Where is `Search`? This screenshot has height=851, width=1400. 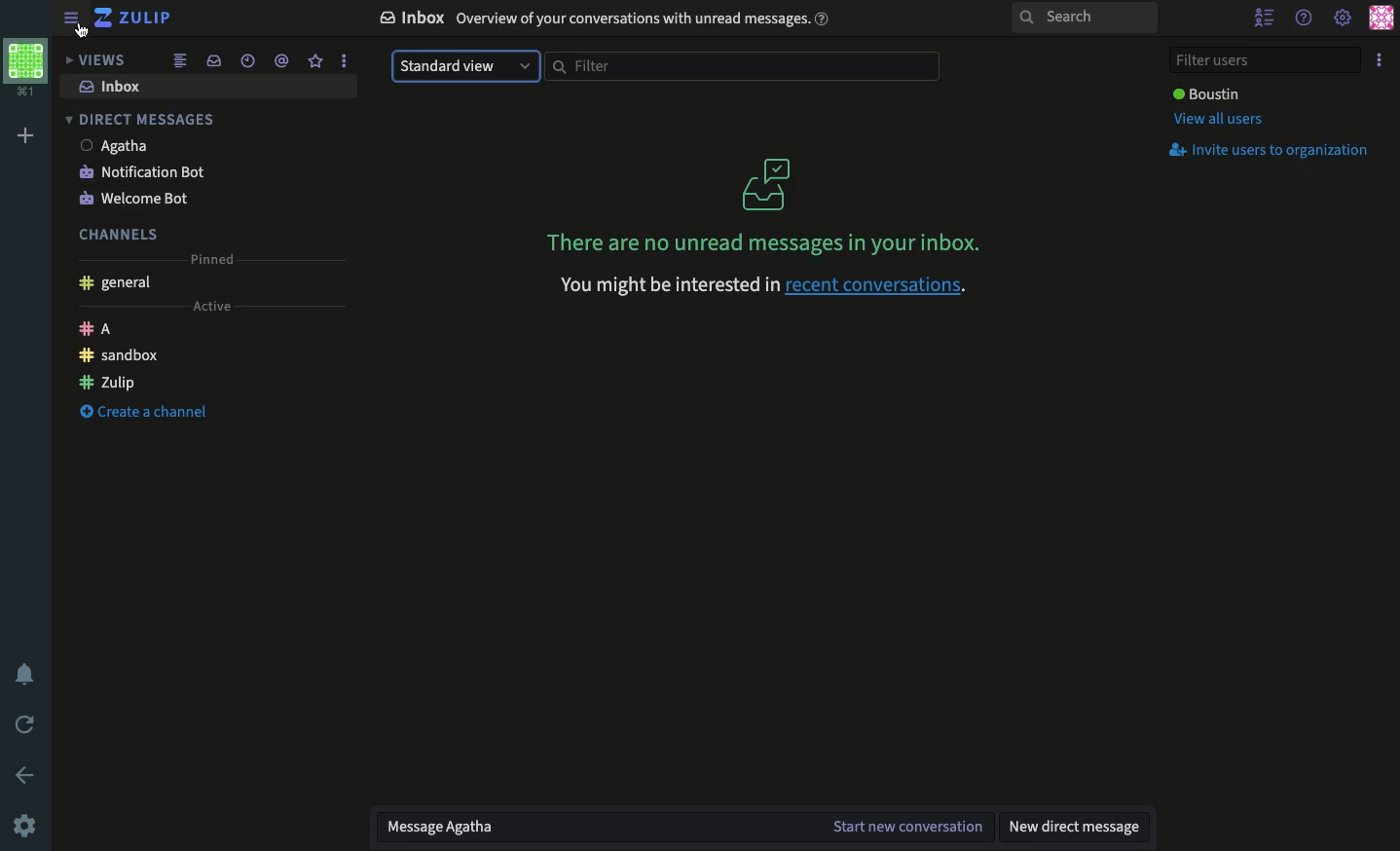 Search is located at coordinates (1085, 16).